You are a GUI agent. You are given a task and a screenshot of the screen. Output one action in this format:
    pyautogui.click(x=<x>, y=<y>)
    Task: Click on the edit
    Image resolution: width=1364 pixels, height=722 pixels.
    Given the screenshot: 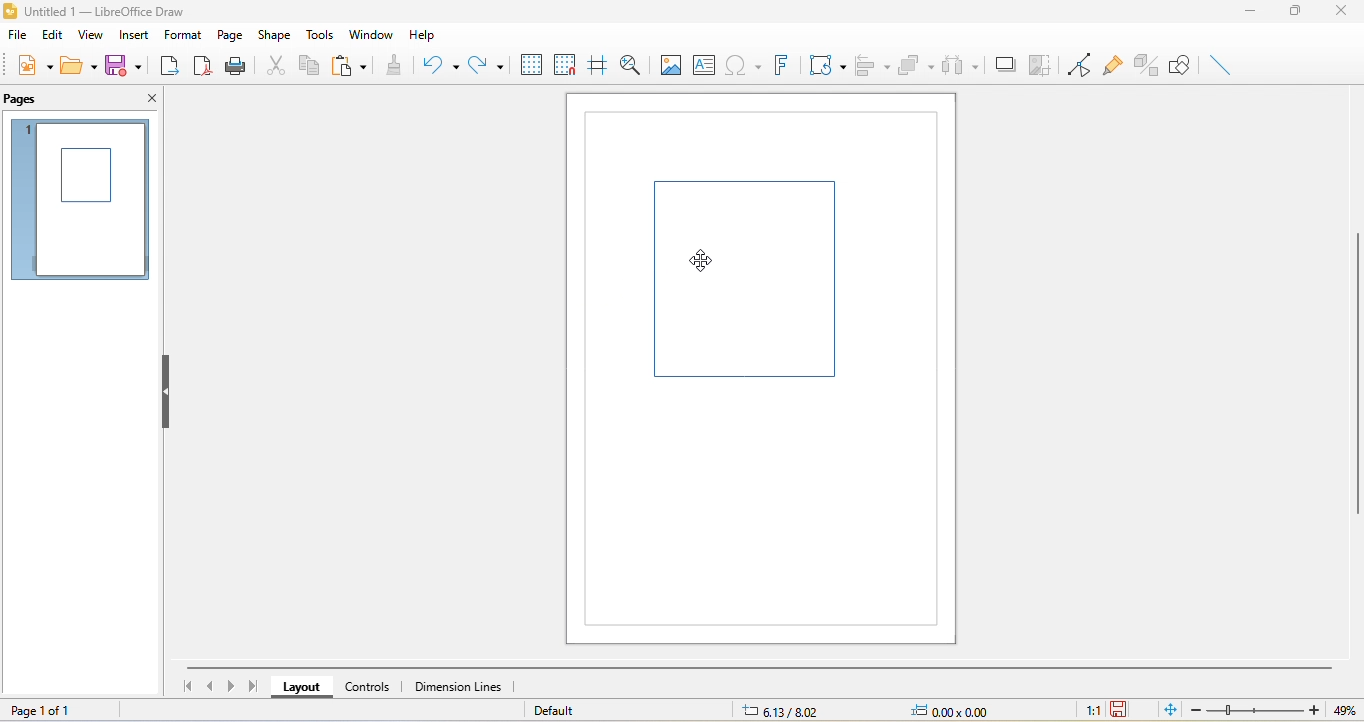 What is the action you would take?
    pyautogui.click(x=52, y=36)
    